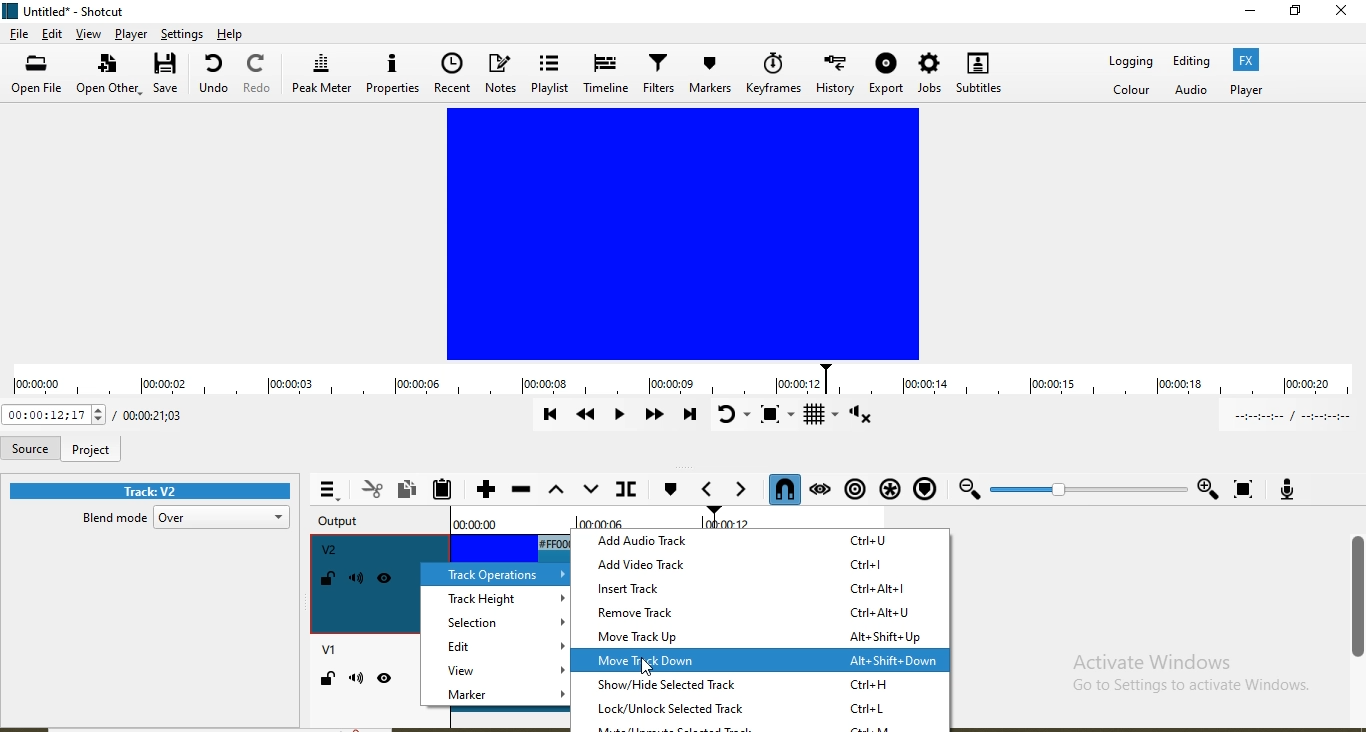  Describe the element at coordinates (628, 489) in the screenshot. I see `Split at playhead` at that location.